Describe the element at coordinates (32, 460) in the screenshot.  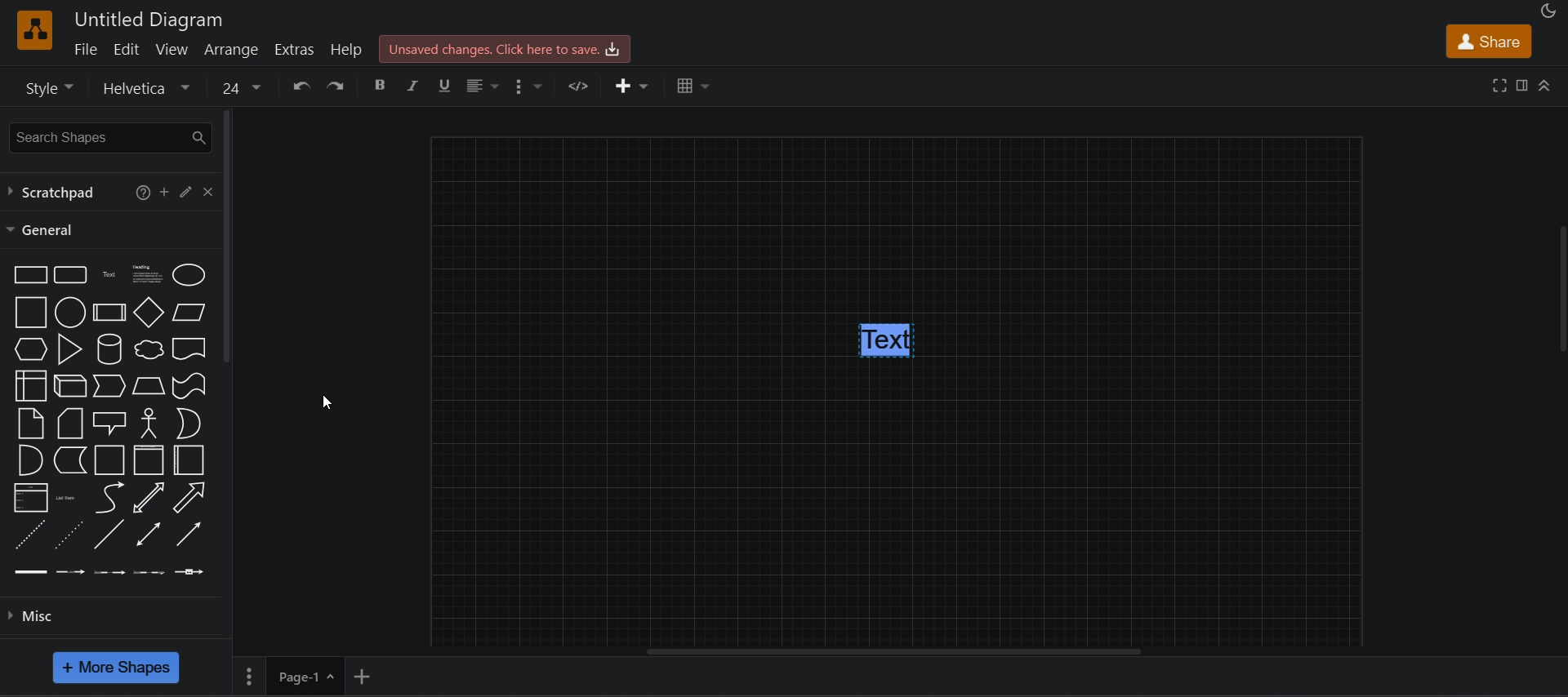
I see `And` at that location.